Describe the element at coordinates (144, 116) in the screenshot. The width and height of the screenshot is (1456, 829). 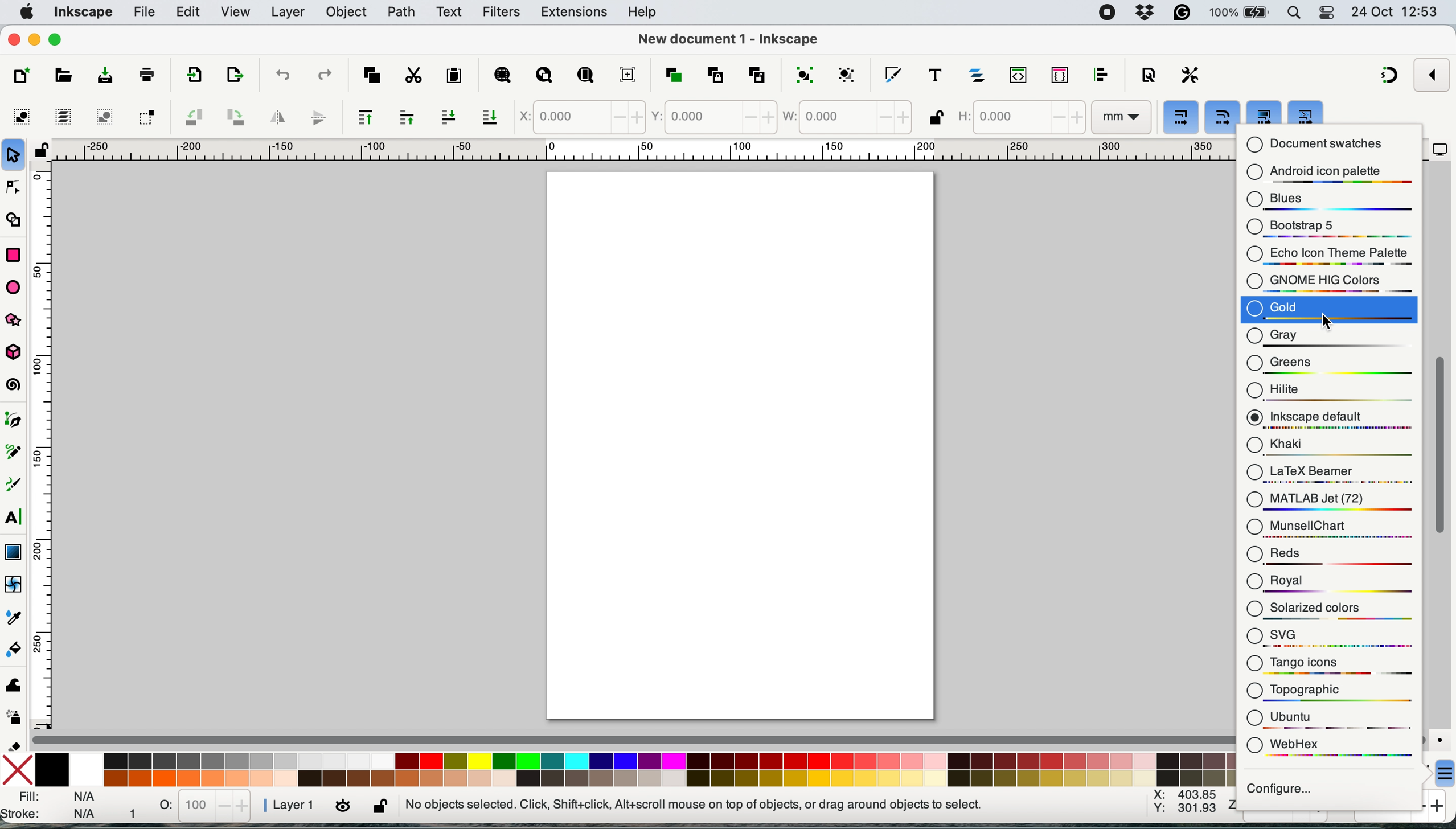
I see `toggle selection to touch all selected objects` at that location.